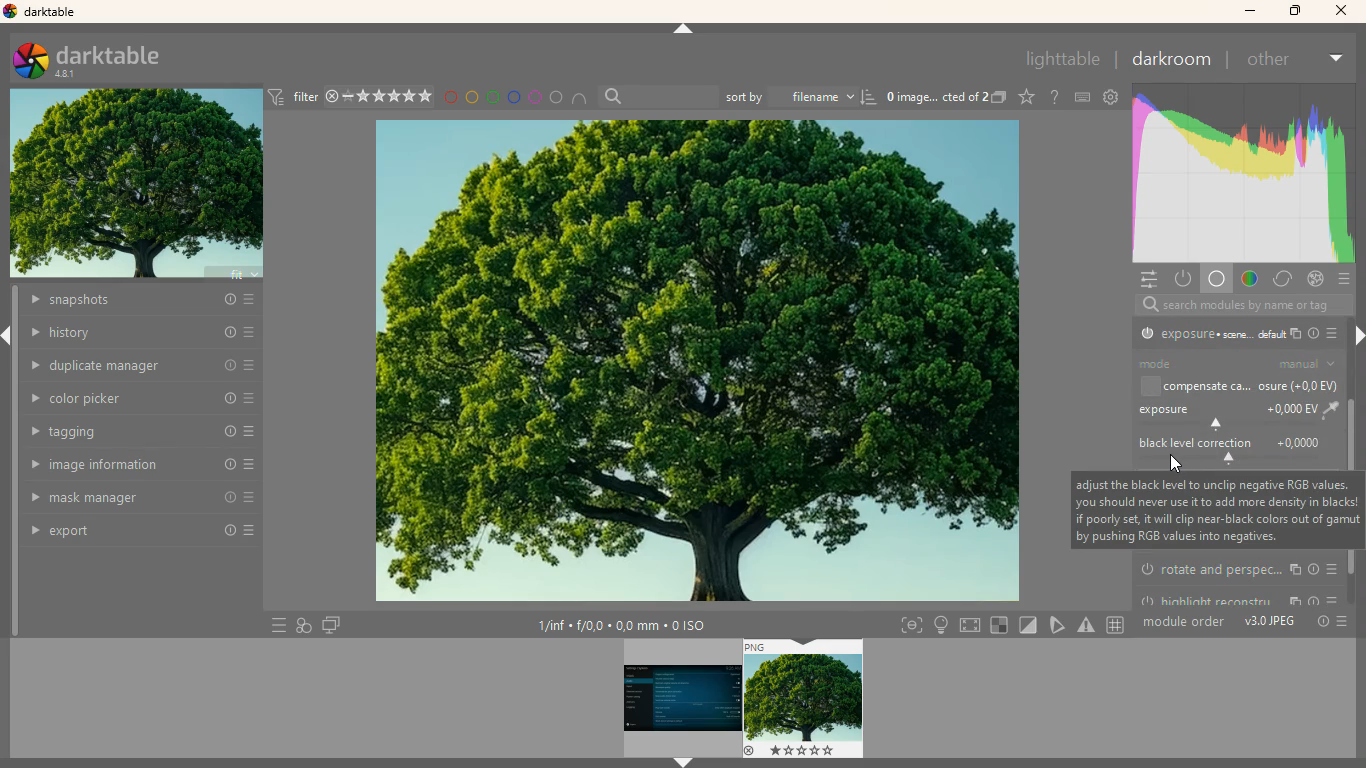 The width and height of the screenshot is (1366, 768). Describe the element at coordinates (1026, 624) in the screenshot. I see `diagonal` at that location.